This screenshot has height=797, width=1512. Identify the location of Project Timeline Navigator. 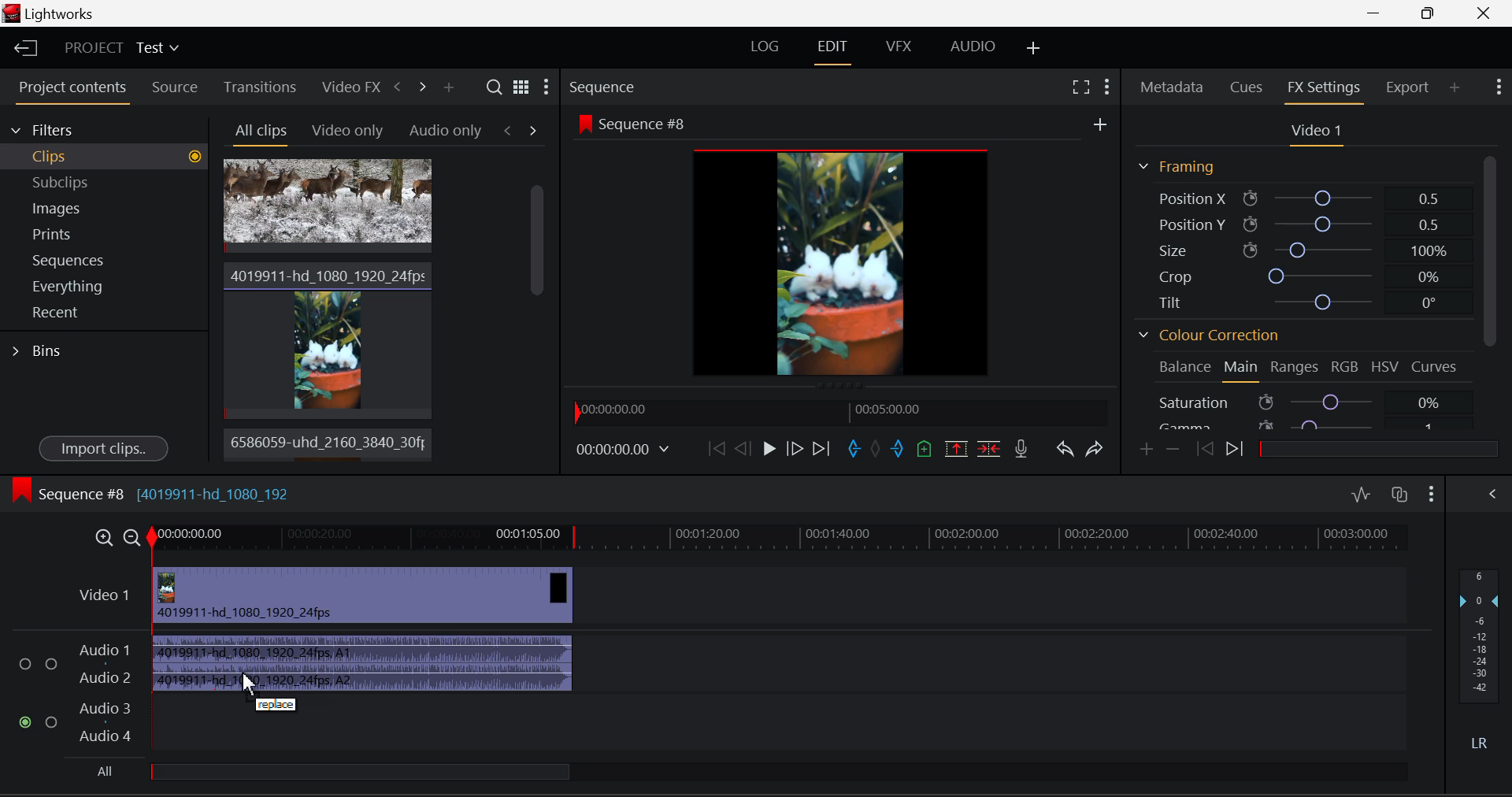
(841, 409).